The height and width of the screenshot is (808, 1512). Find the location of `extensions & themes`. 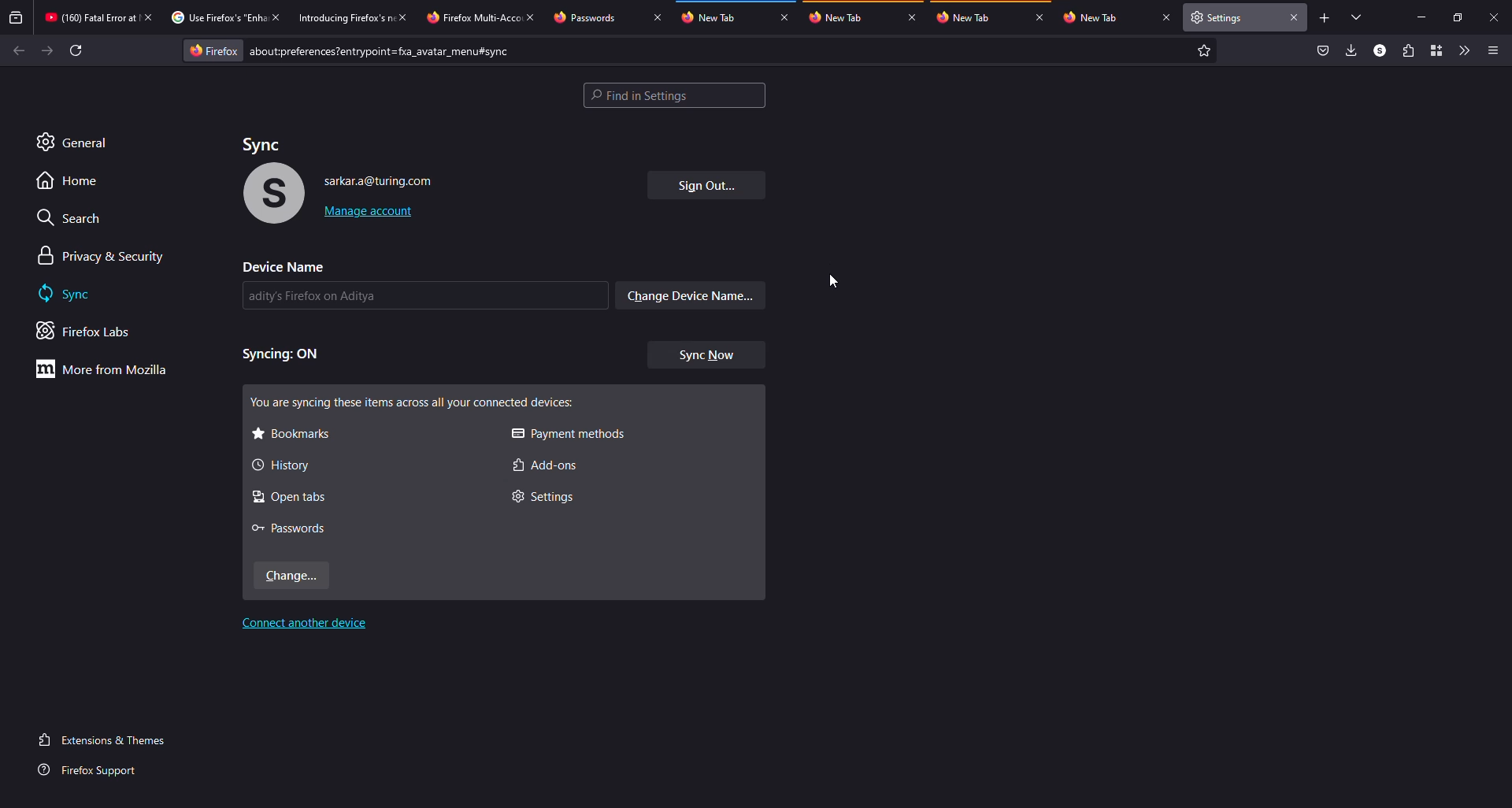

extensions & themes is located at coordinates (102, 739).